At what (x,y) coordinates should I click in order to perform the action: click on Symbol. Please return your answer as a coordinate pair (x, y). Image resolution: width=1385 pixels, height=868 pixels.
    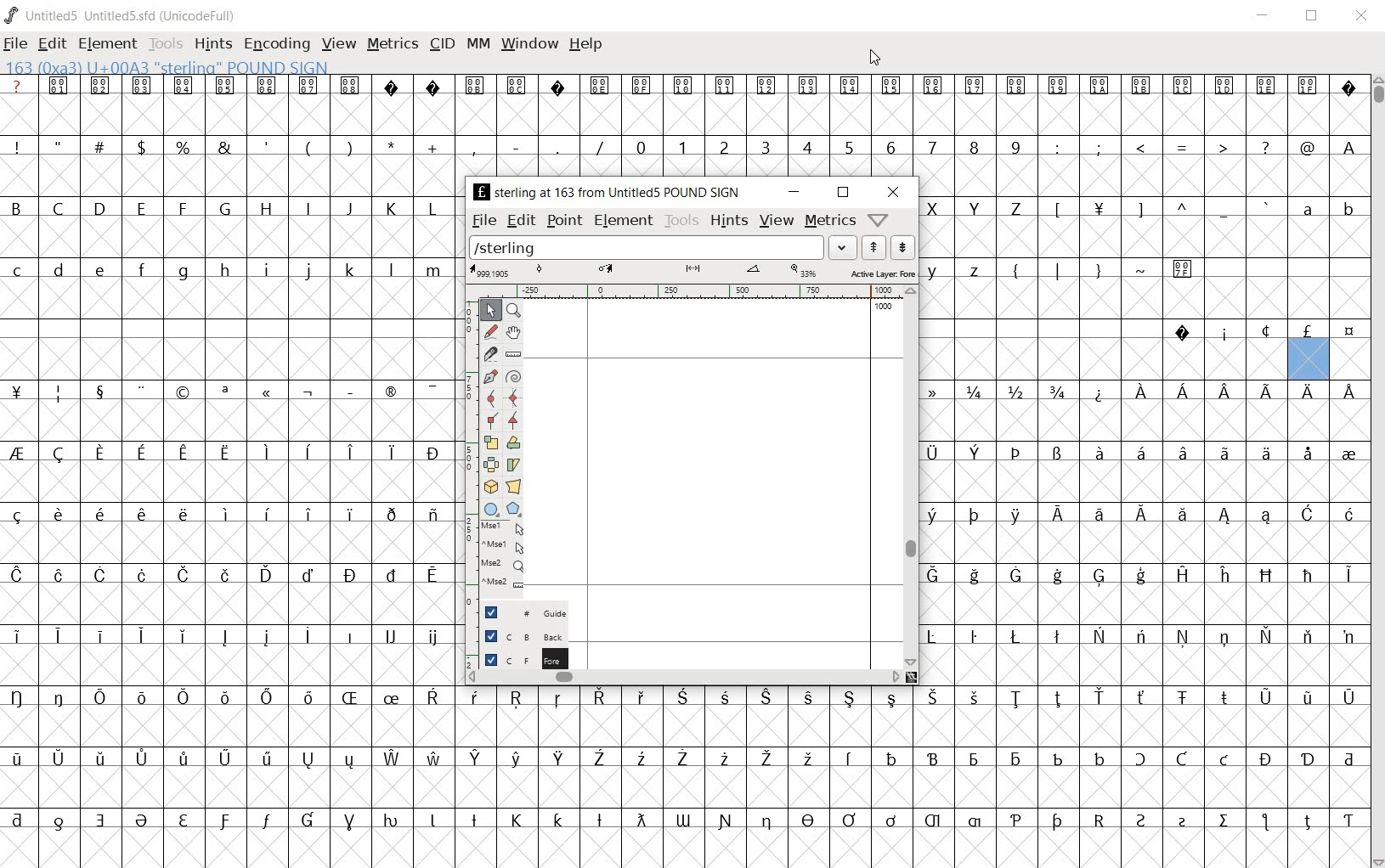
    Looking at the image, I should click on (937, 453).